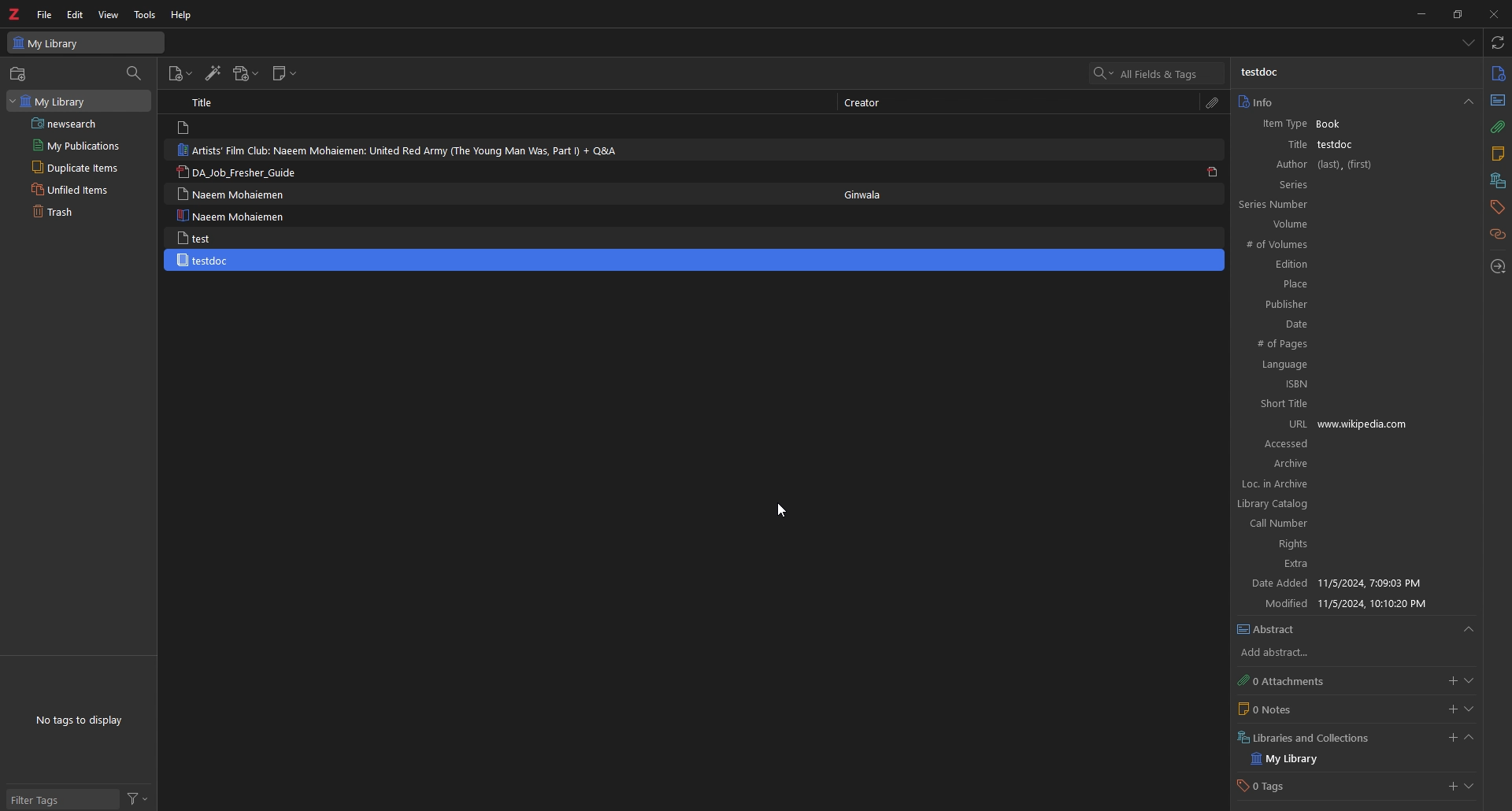  What do you see at coordinates (1333, 324) in the screenshot?
I see `Date` at bounding box center [1333, 324].